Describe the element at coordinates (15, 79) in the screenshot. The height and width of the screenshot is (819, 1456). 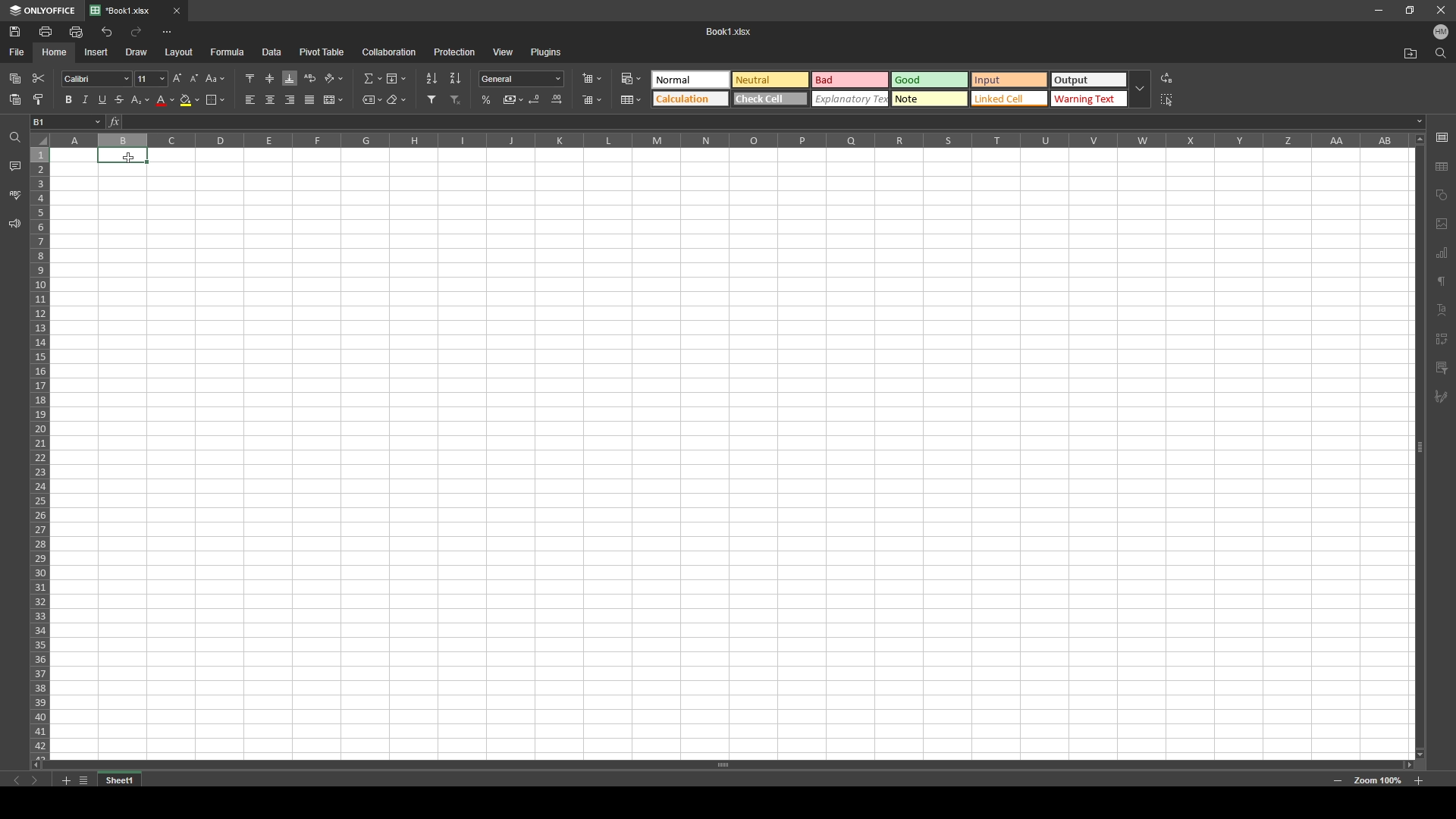
I see `paste` at that location.